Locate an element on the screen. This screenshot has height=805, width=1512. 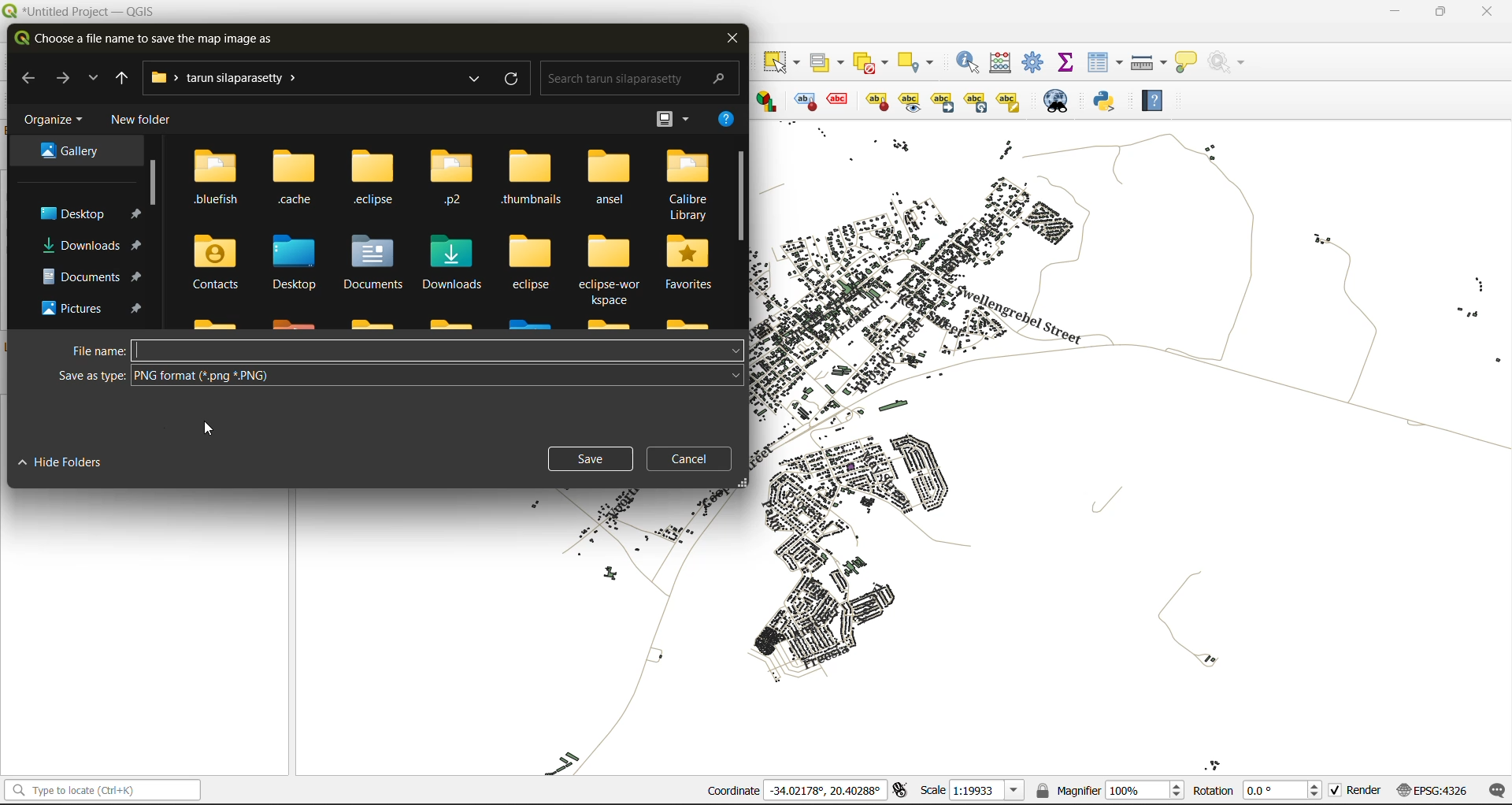
toolbox is located at coordinates (1036, 63).